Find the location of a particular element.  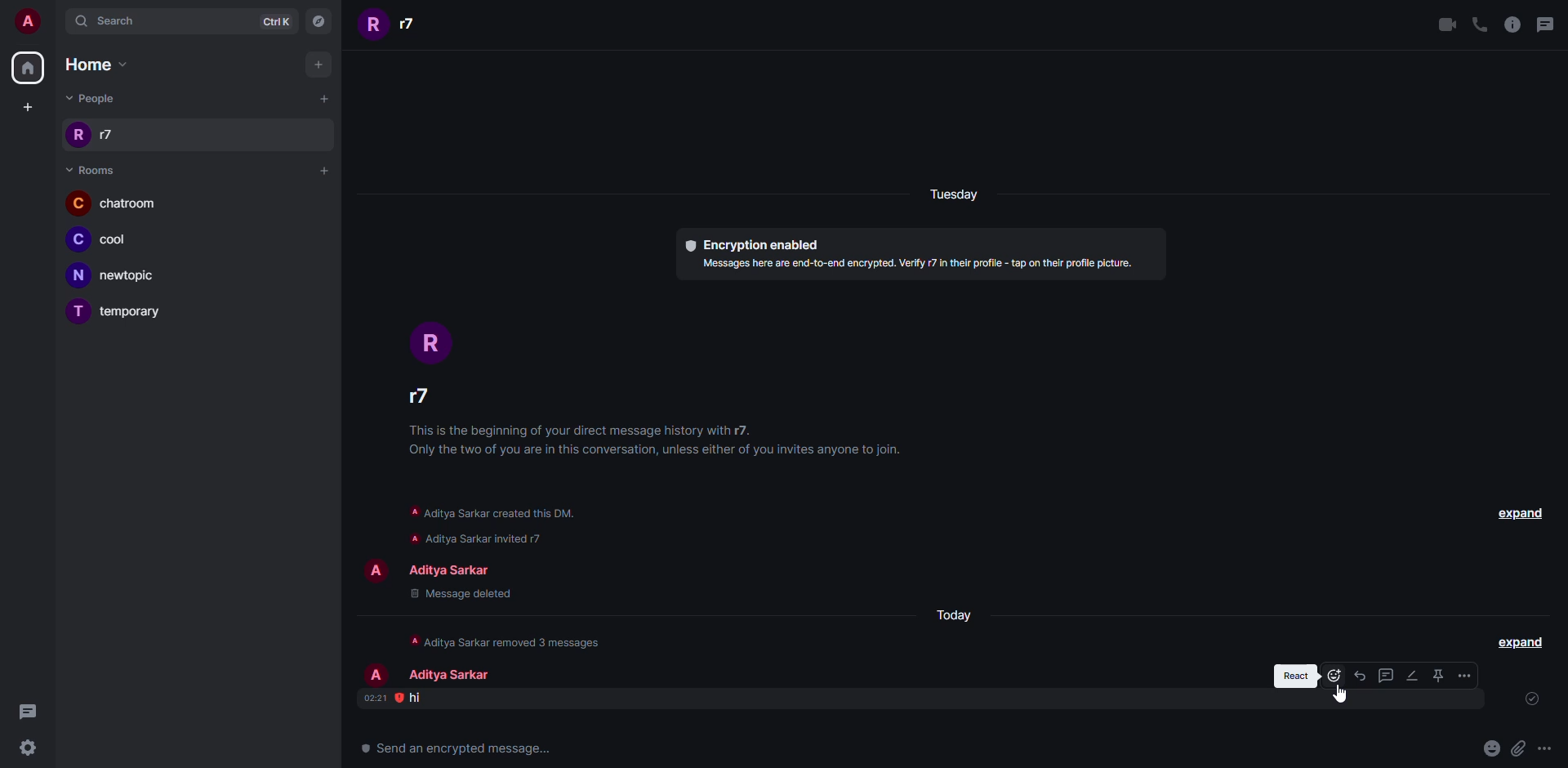

profile is located at coordinates (430, 342).